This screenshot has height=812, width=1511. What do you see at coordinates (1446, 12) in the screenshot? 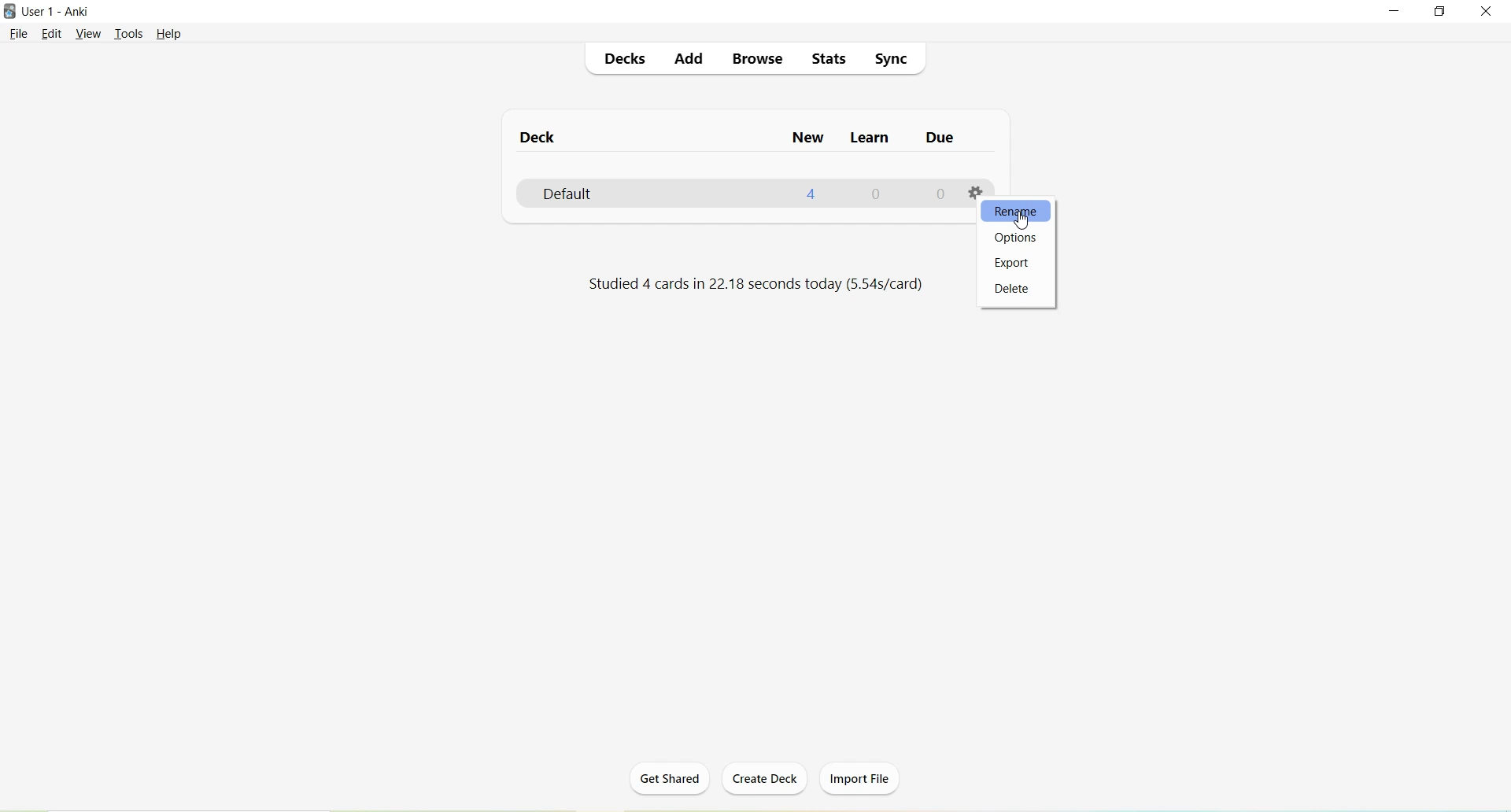
I see `Maximize` at bounding box center [1446, 12].